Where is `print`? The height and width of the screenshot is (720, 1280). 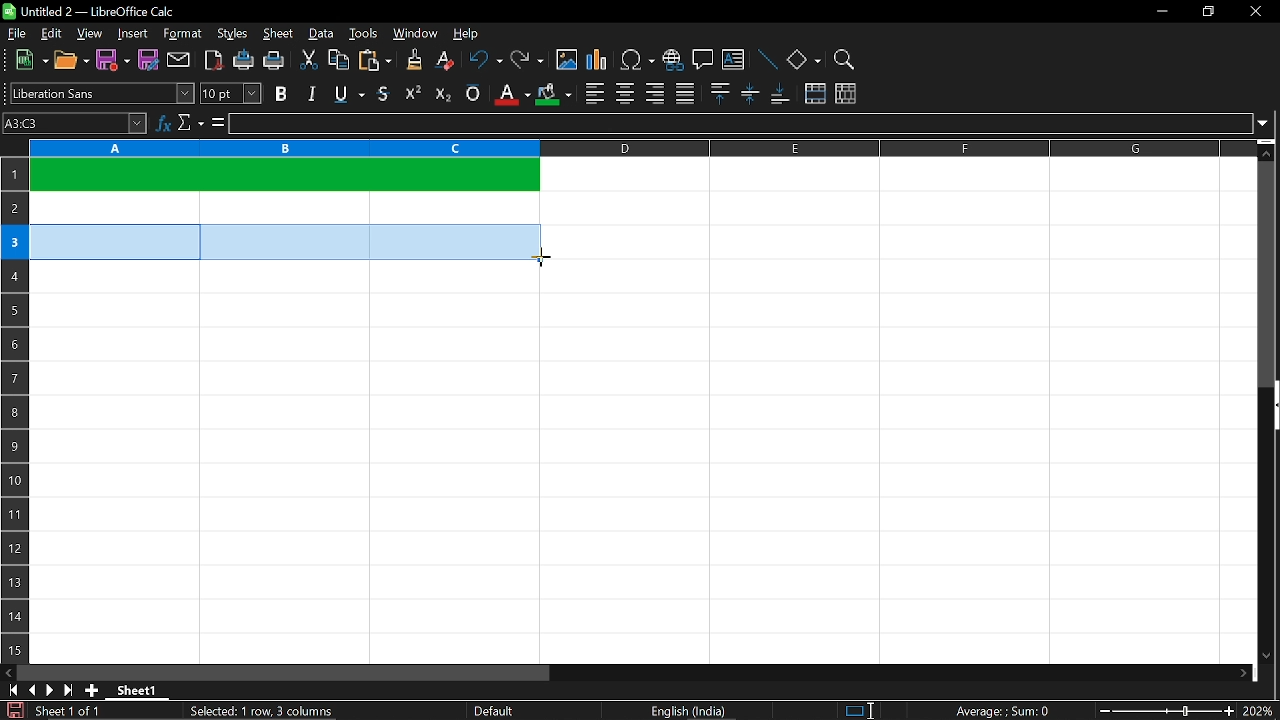
print is located at coordinates (275, 61).